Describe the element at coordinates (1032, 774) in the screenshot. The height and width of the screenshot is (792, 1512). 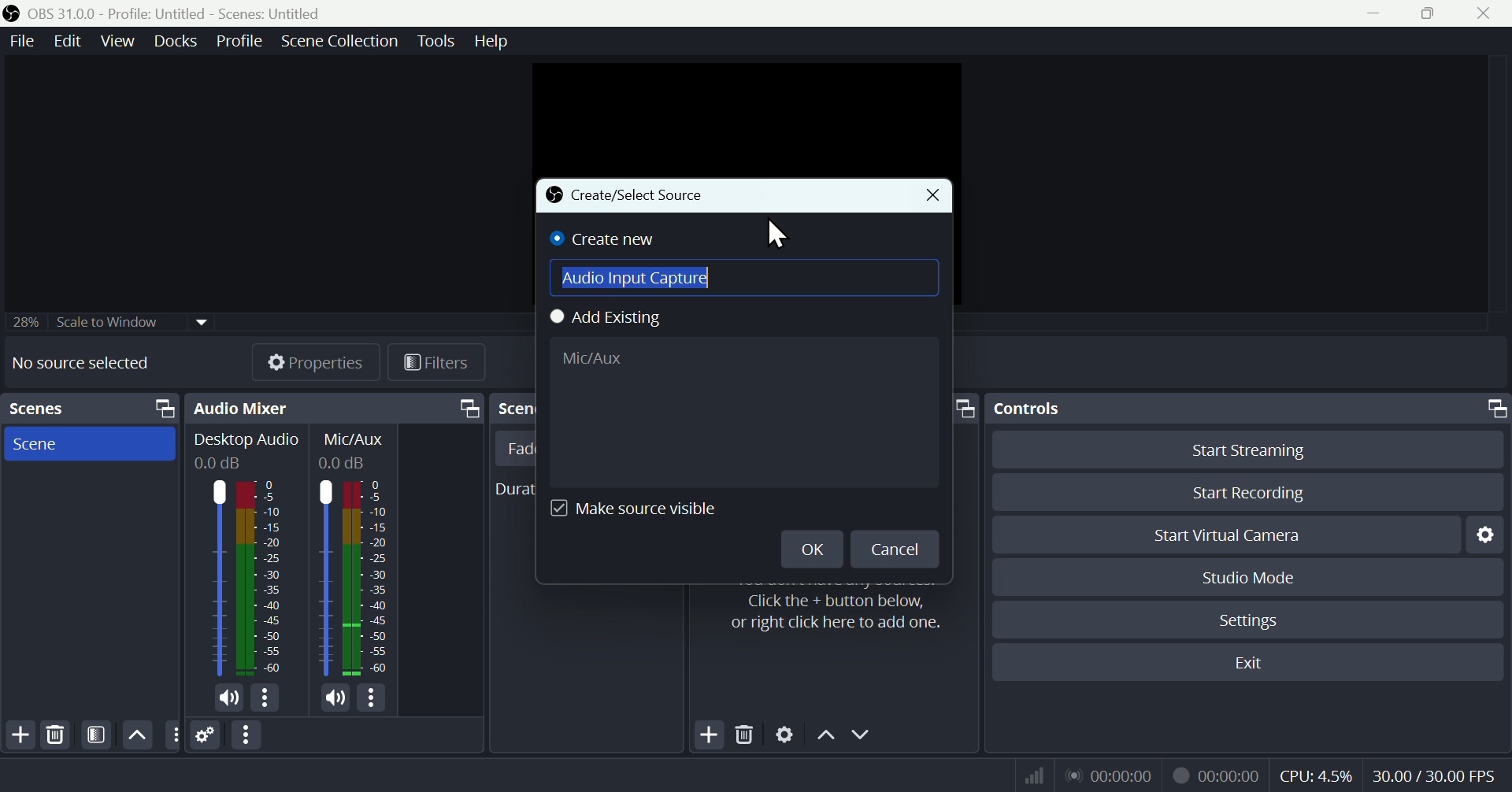
I see `Bitrate` at that location.